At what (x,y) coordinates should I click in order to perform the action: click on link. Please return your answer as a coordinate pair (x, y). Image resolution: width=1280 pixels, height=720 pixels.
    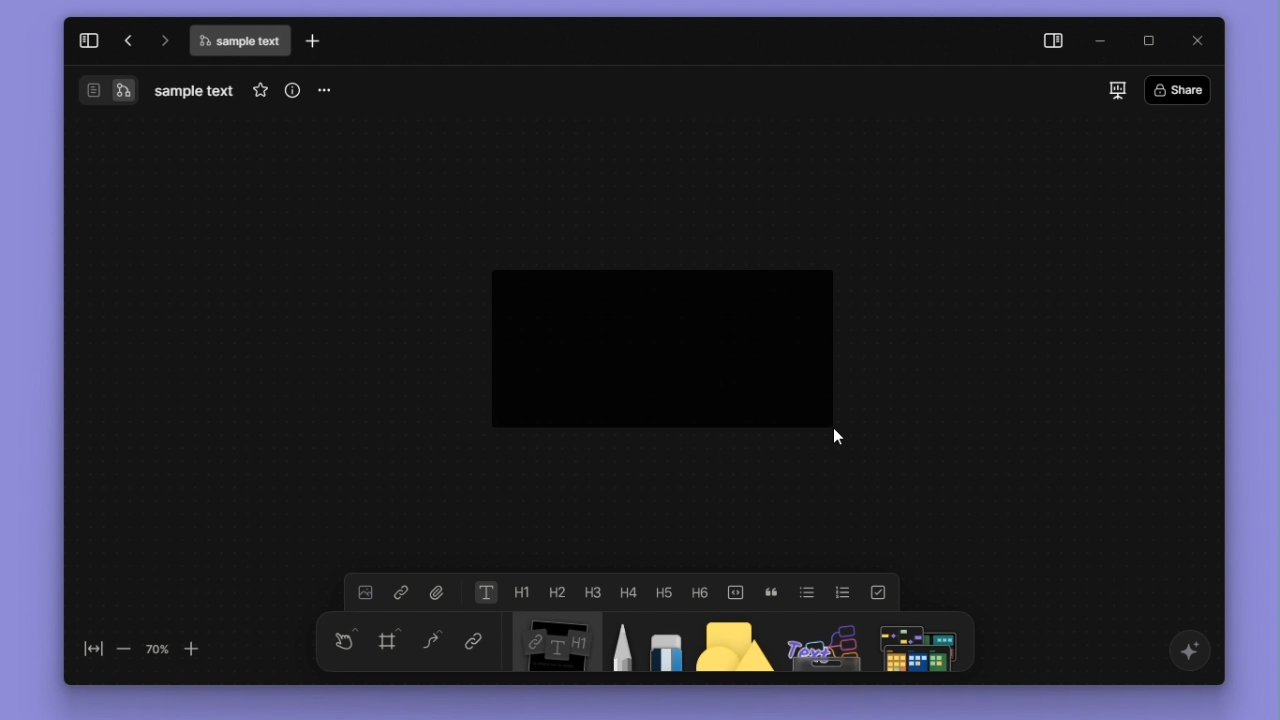
    Looking at the image, I should click on (470, 643).